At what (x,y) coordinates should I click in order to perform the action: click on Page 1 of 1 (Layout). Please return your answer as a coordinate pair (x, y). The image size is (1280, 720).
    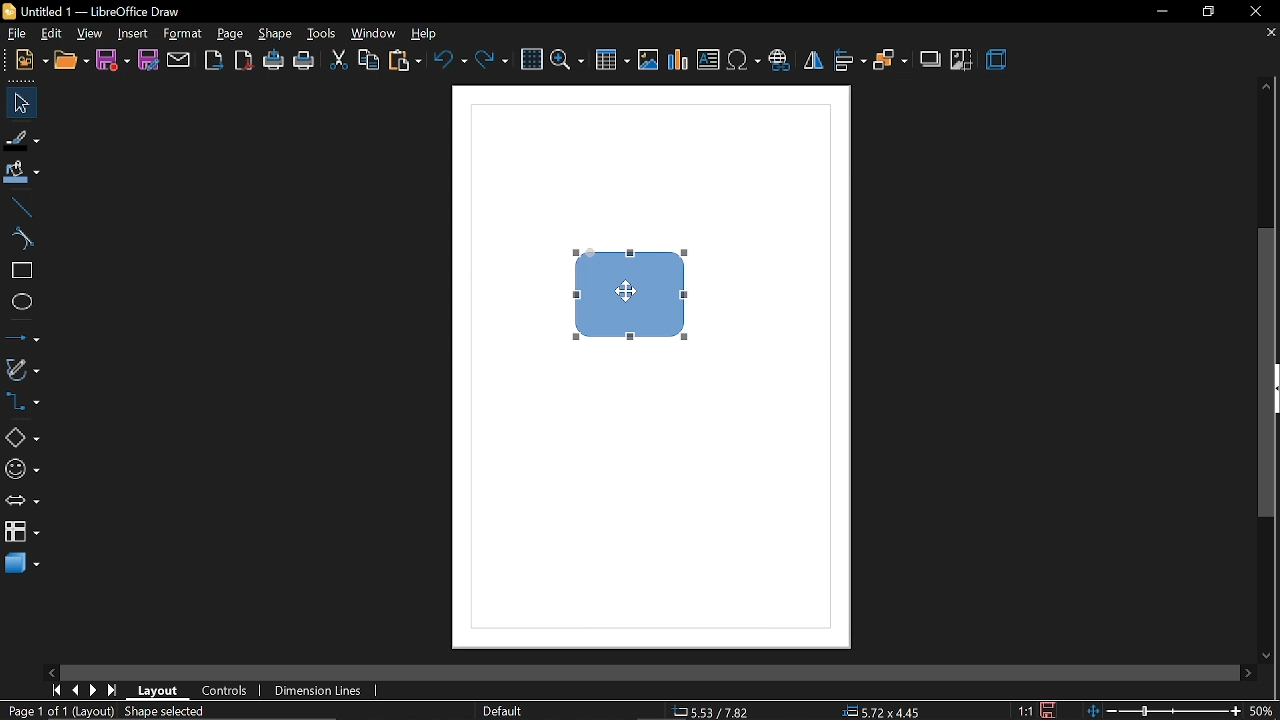
    Looking at the image, I should click on (66, 712).